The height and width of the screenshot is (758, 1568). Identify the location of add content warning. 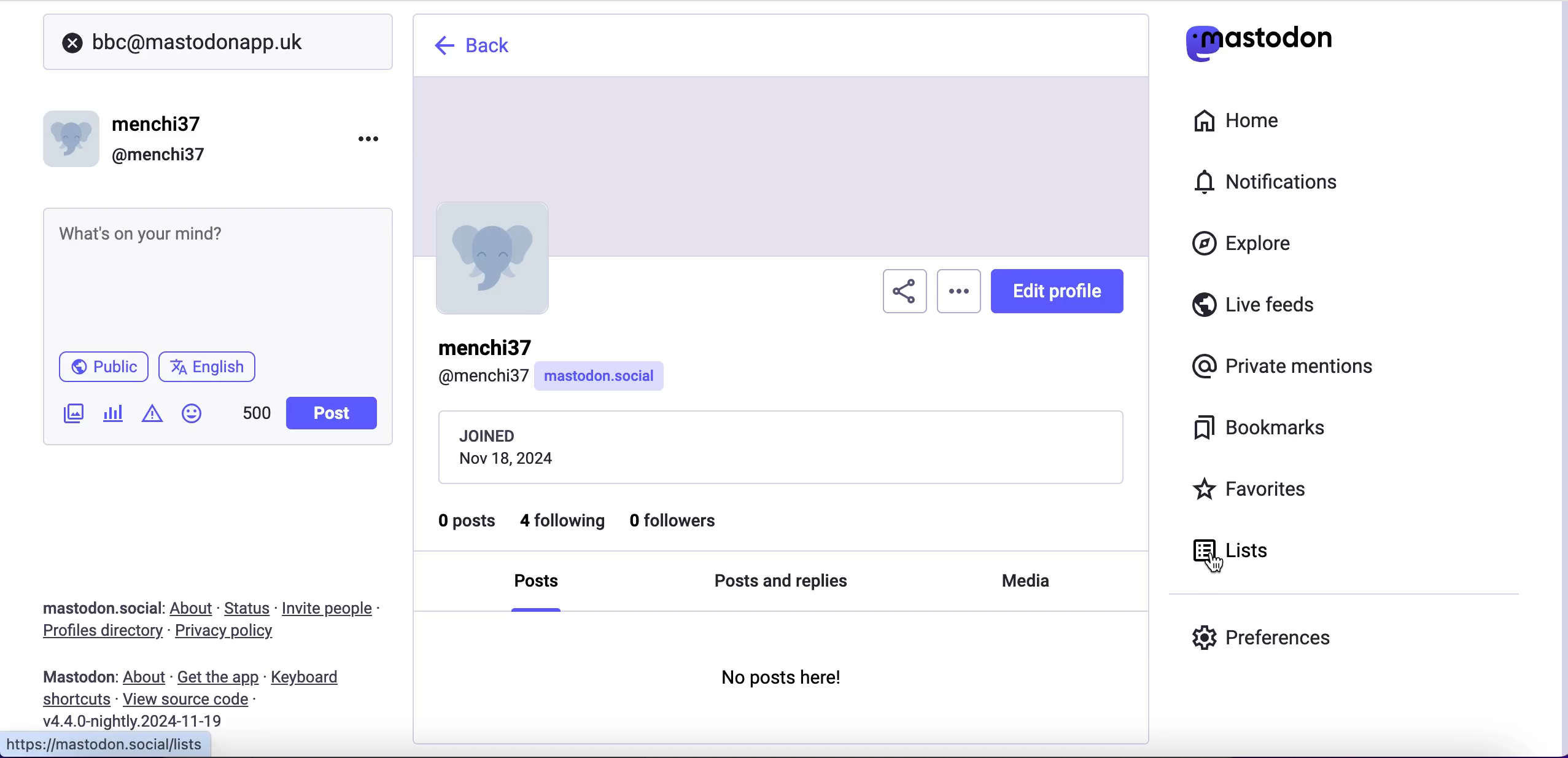
(155, 415).